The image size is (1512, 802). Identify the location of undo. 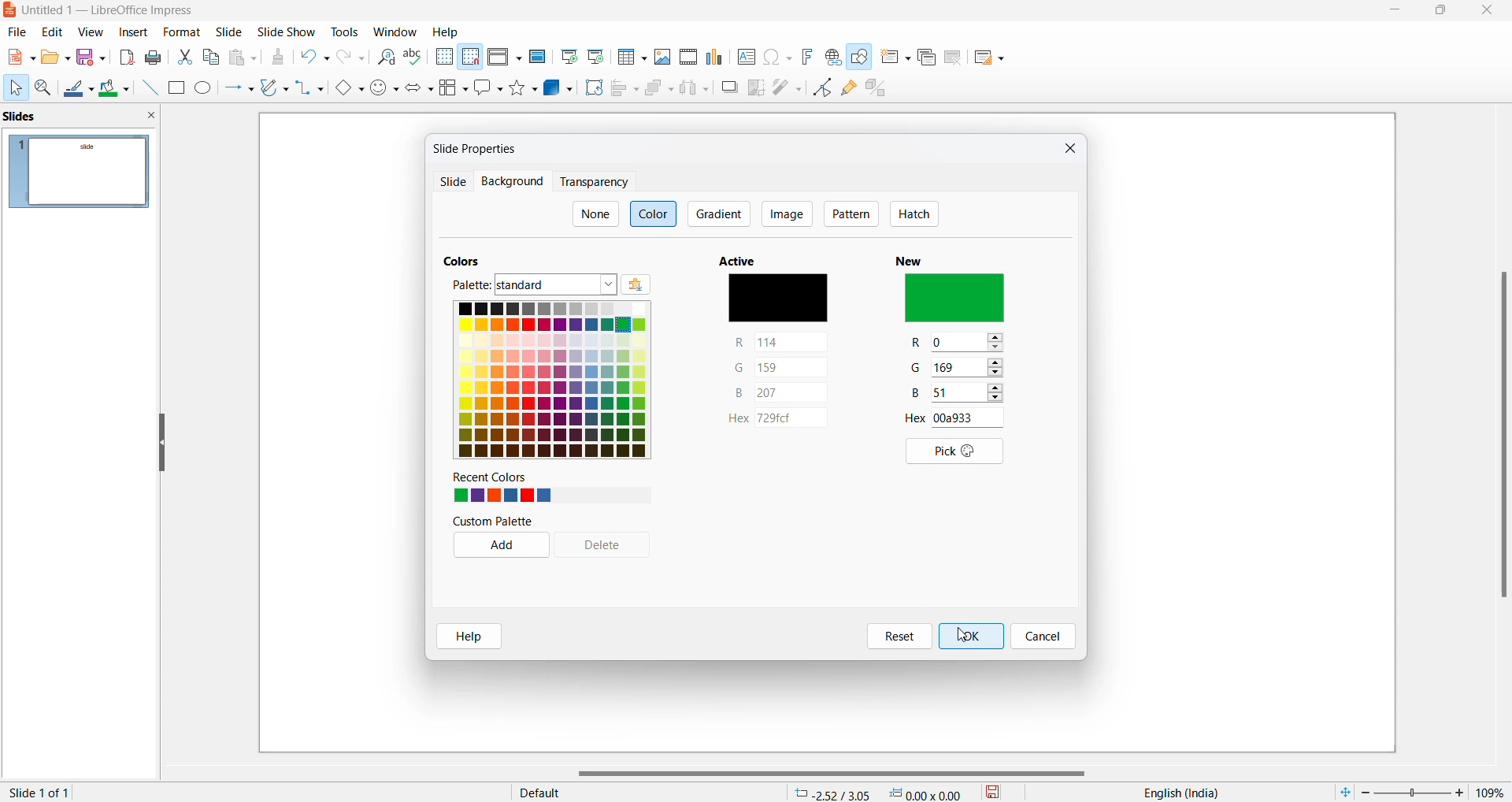
(317, 59).